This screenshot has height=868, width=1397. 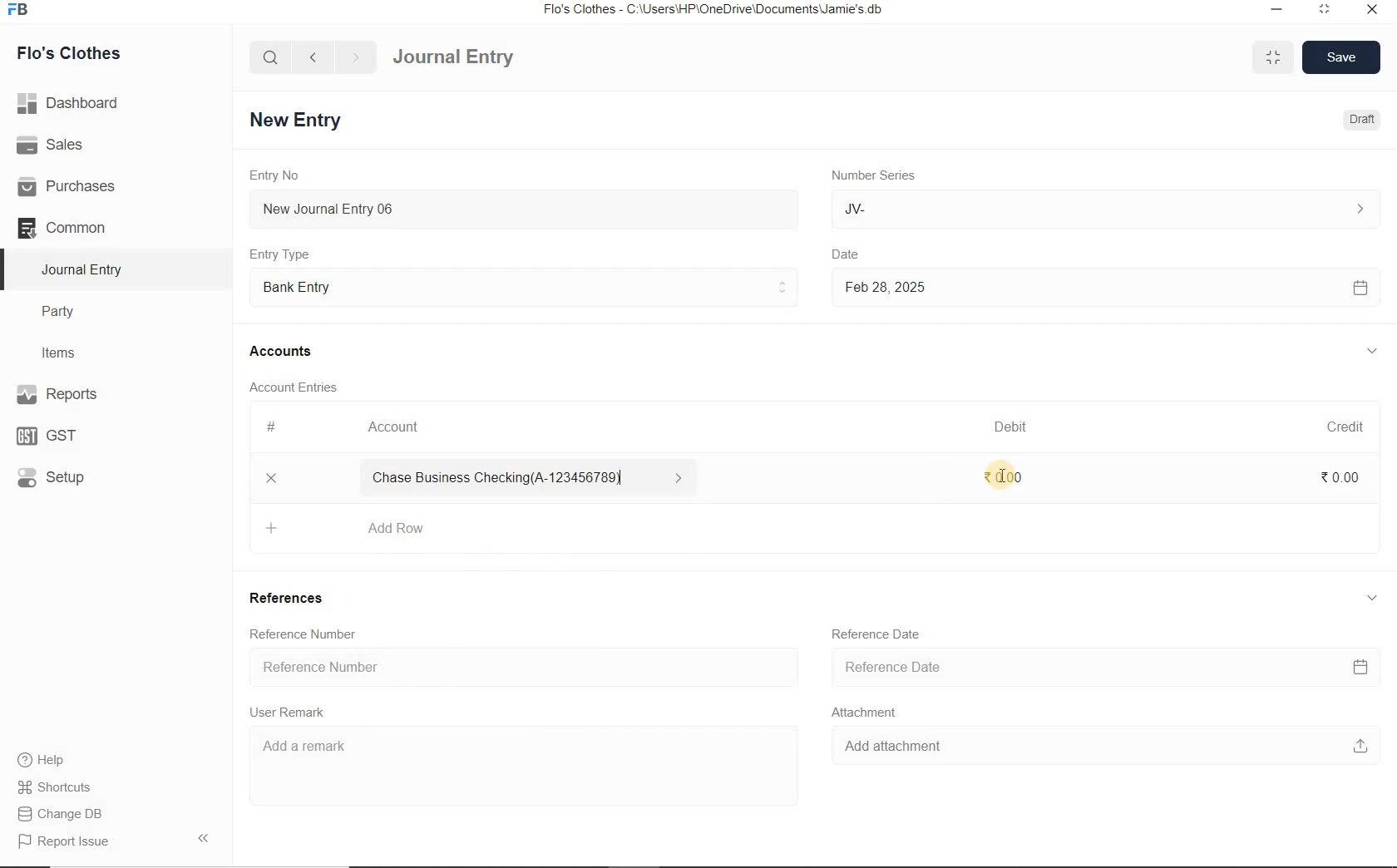 I want to click on Purchases, so click(x=74, y=185).